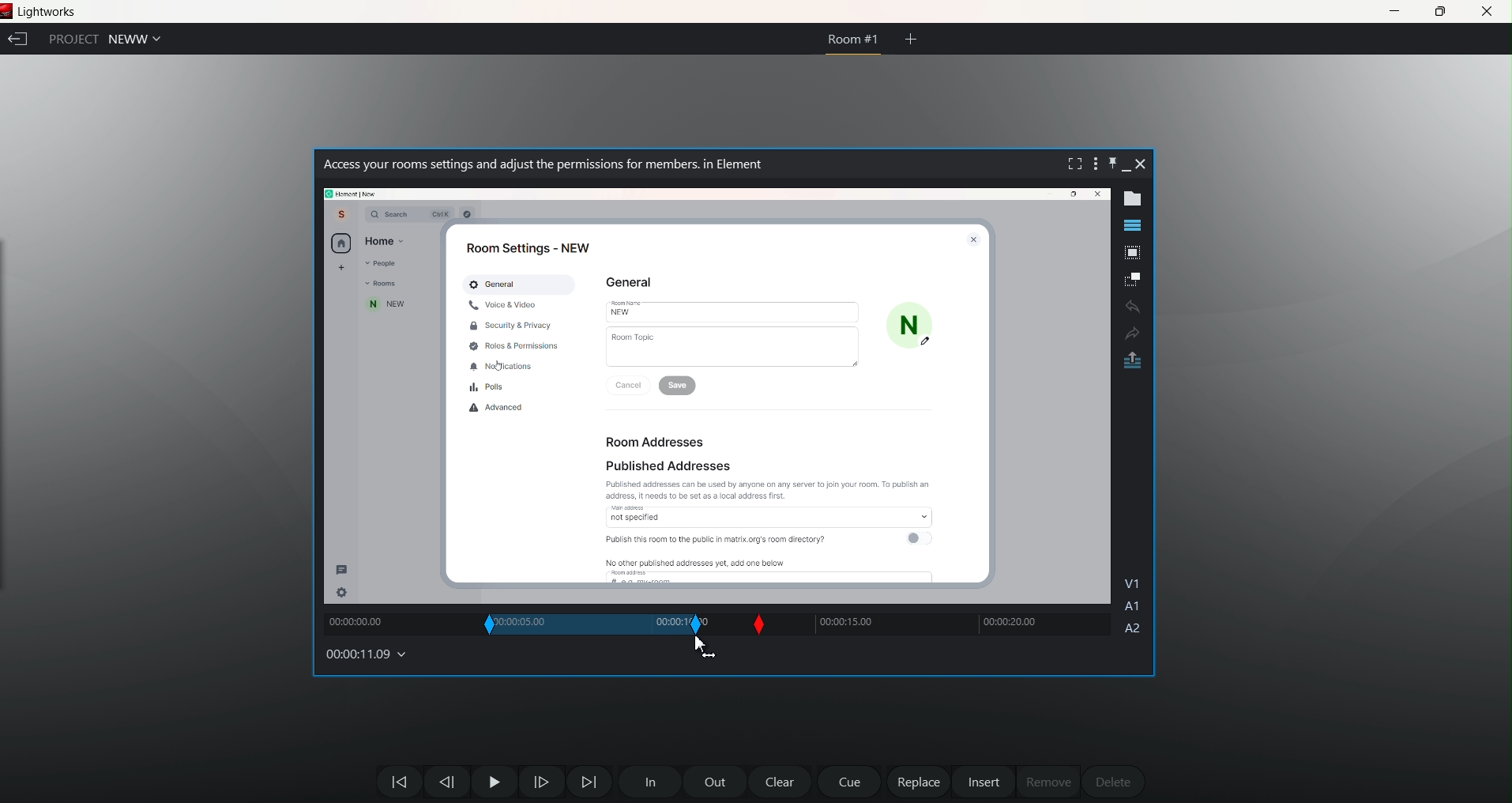  I want to click on Roid & Permissions, so click(517, 345).